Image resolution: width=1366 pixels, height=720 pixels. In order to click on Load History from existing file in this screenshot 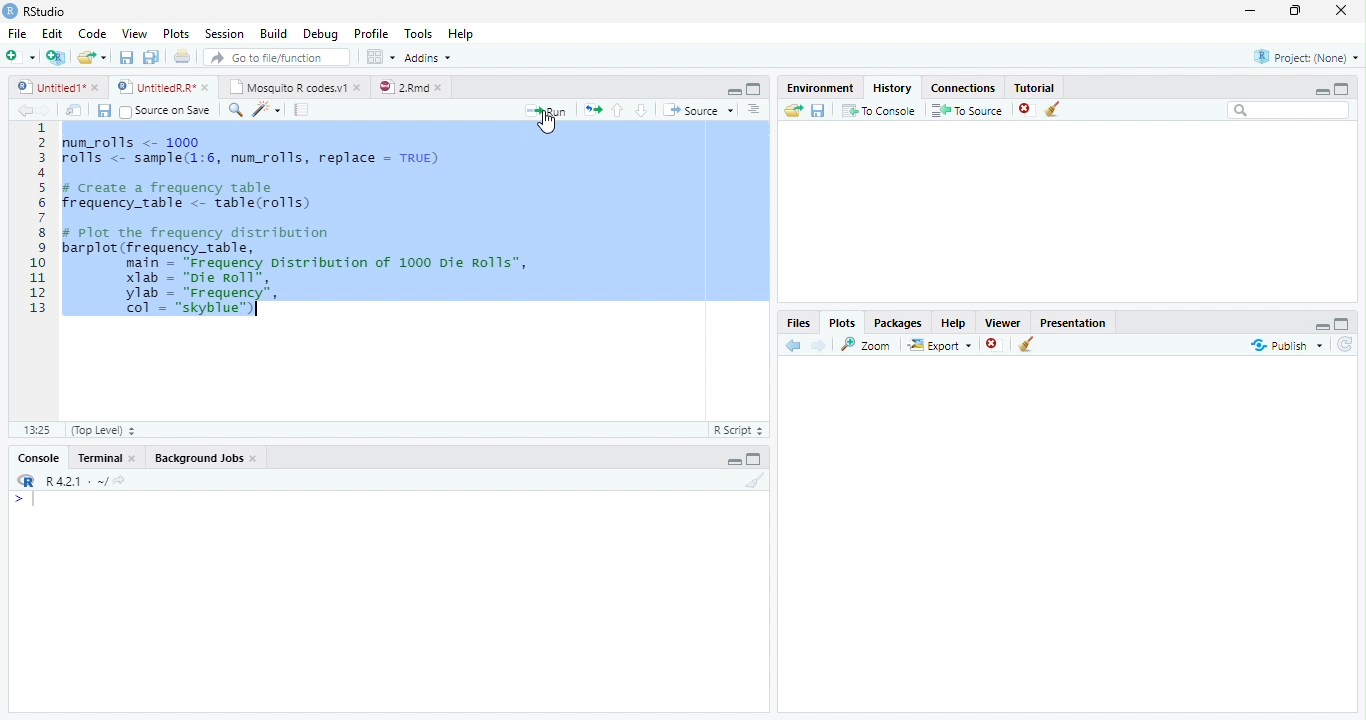, I will do `click(793, 110)`.